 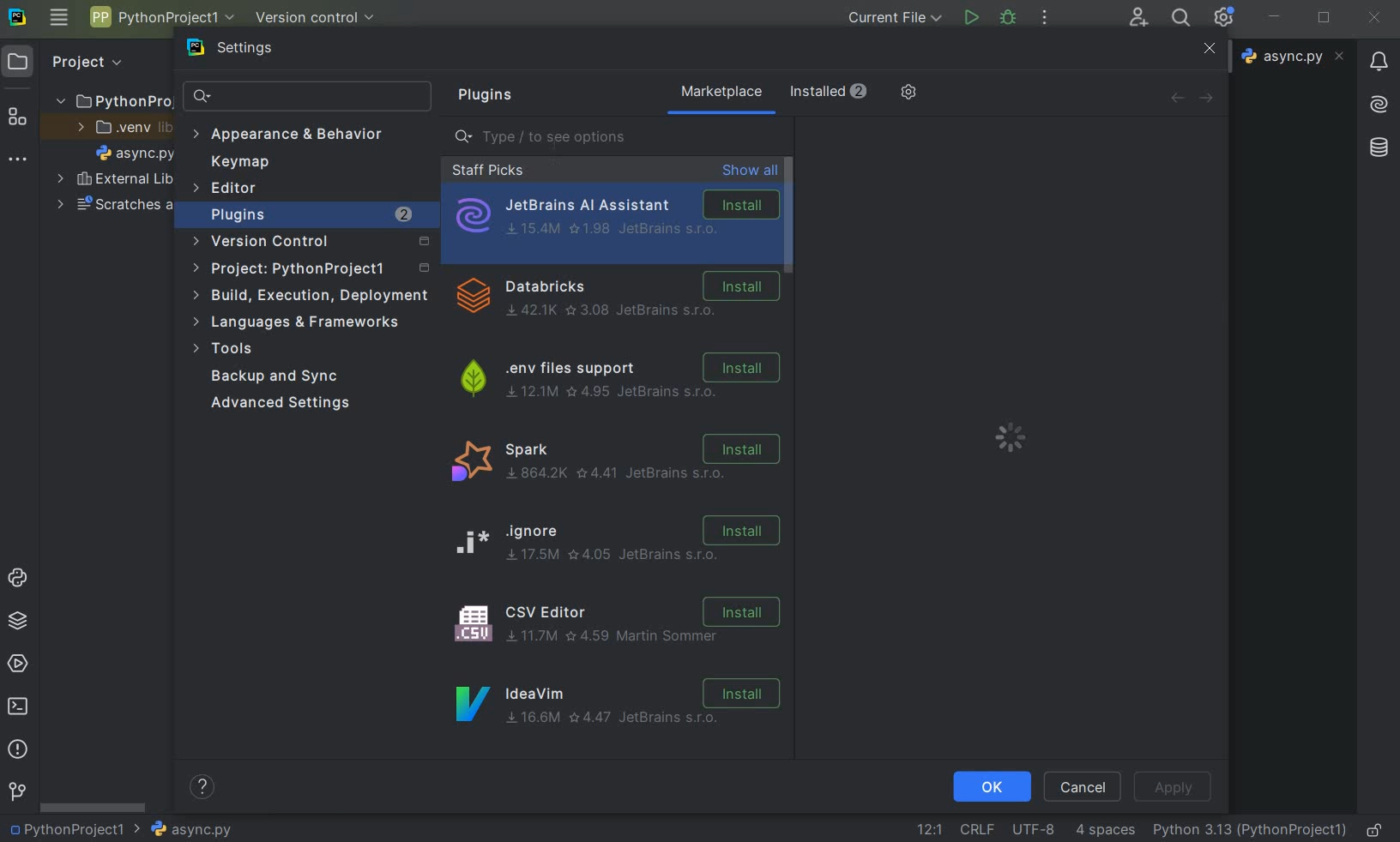 I want to click on .venv, so click(x=118, y=127).